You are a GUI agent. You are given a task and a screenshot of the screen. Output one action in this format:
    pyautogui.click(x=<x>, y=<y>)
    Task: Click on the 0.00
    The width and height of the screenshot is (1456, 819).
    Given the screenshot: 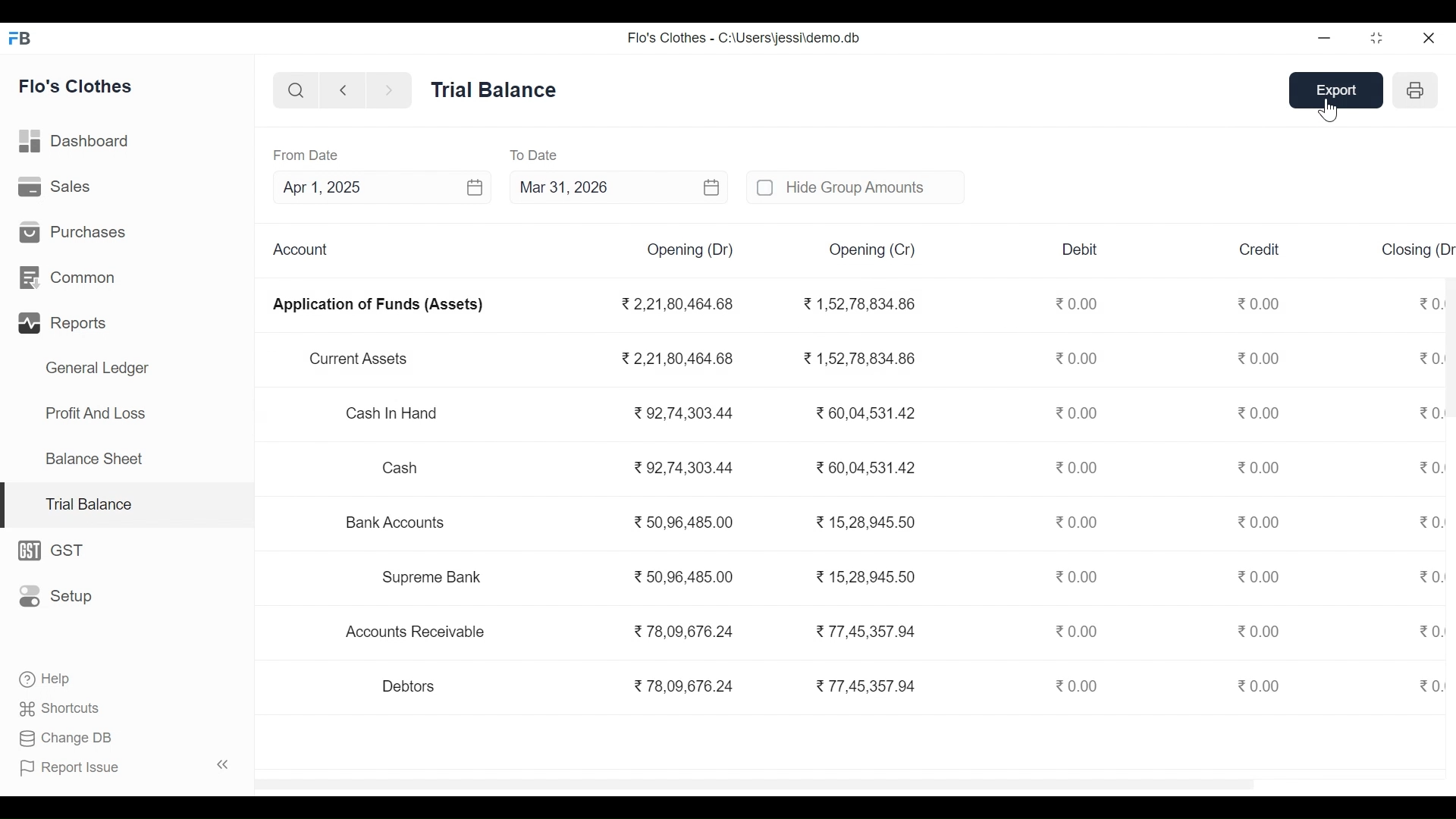 What is the action you would take?
    pyautogui.click(x=1259, y=631)
    